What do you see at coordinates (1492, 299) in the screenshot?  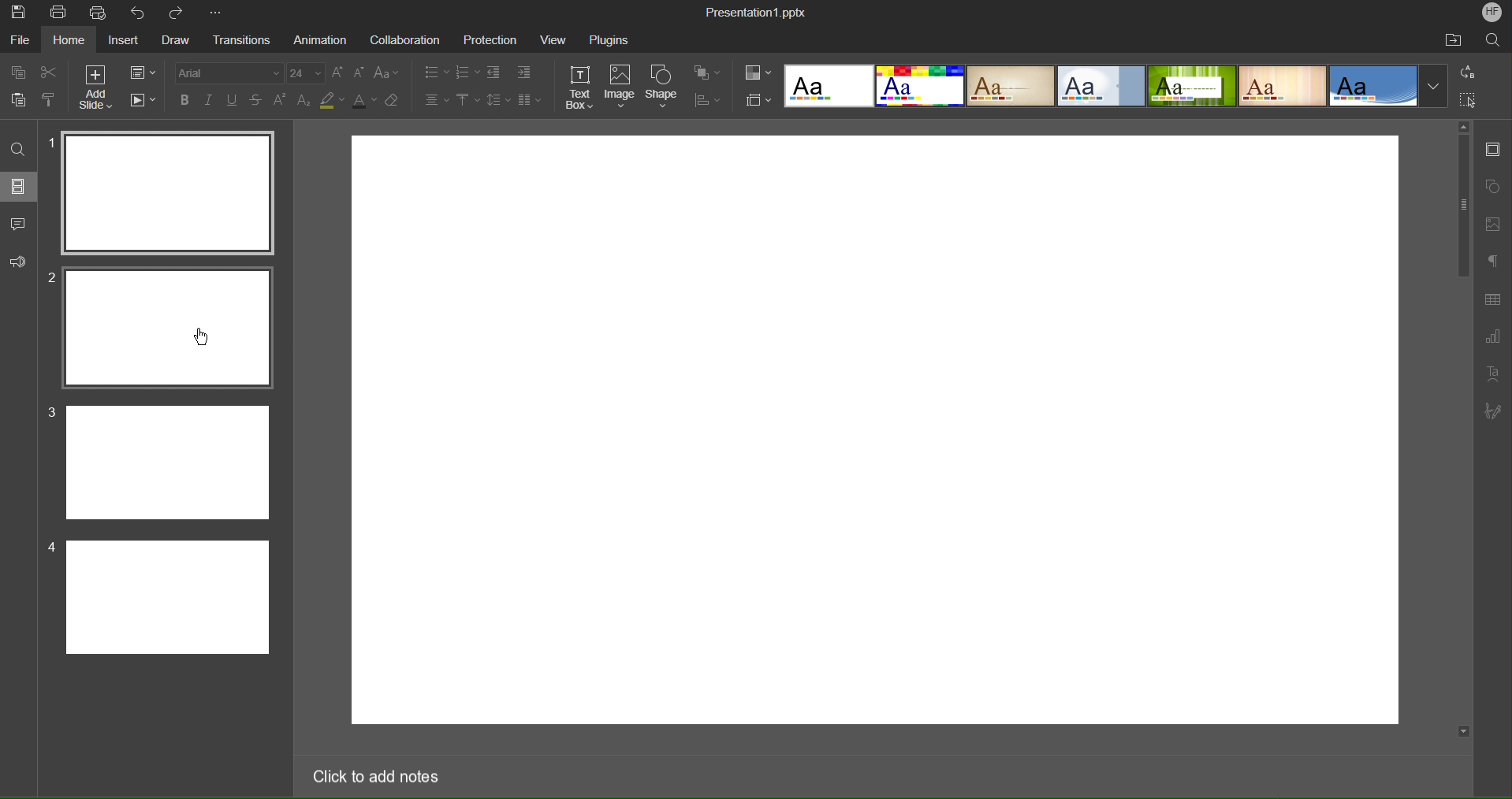 I see `Table Settings` at bounding box center [1492, 299].